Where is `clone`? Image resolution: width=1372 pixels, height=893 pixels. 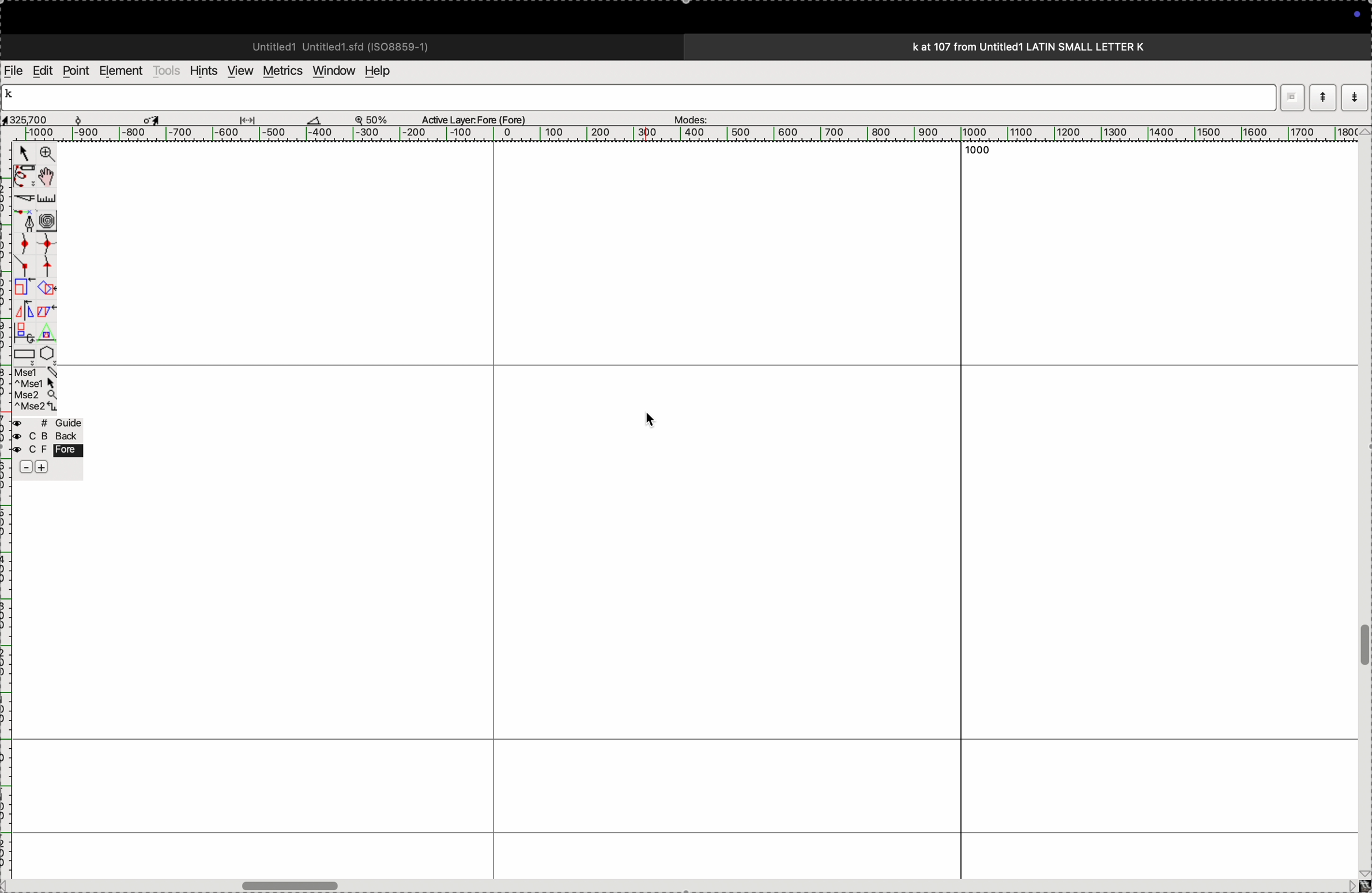 clone is located at coordinates (22, 288).